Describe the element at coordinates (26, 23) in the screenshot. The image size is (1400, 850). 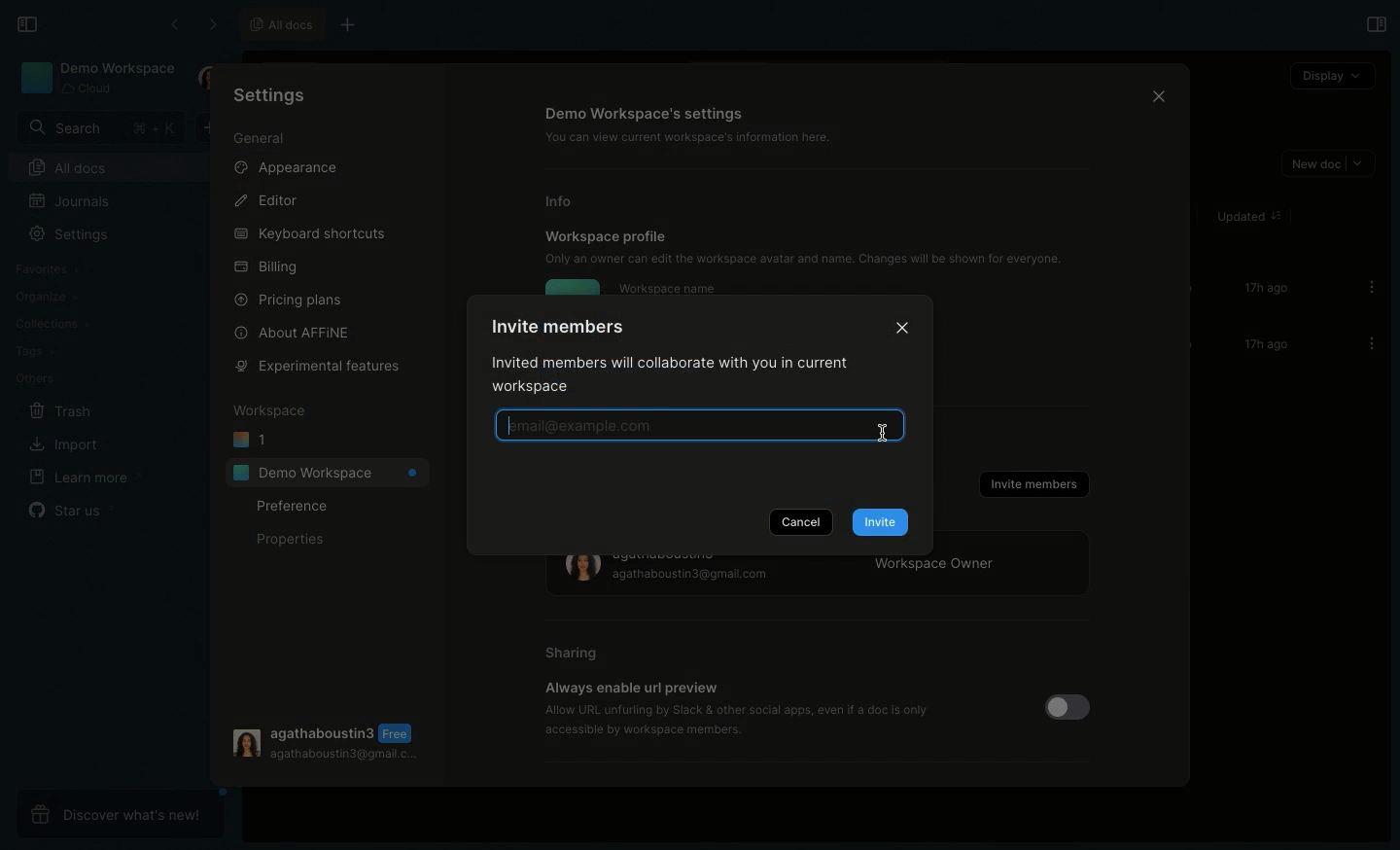
I see `Collapse sidebar` at that location.